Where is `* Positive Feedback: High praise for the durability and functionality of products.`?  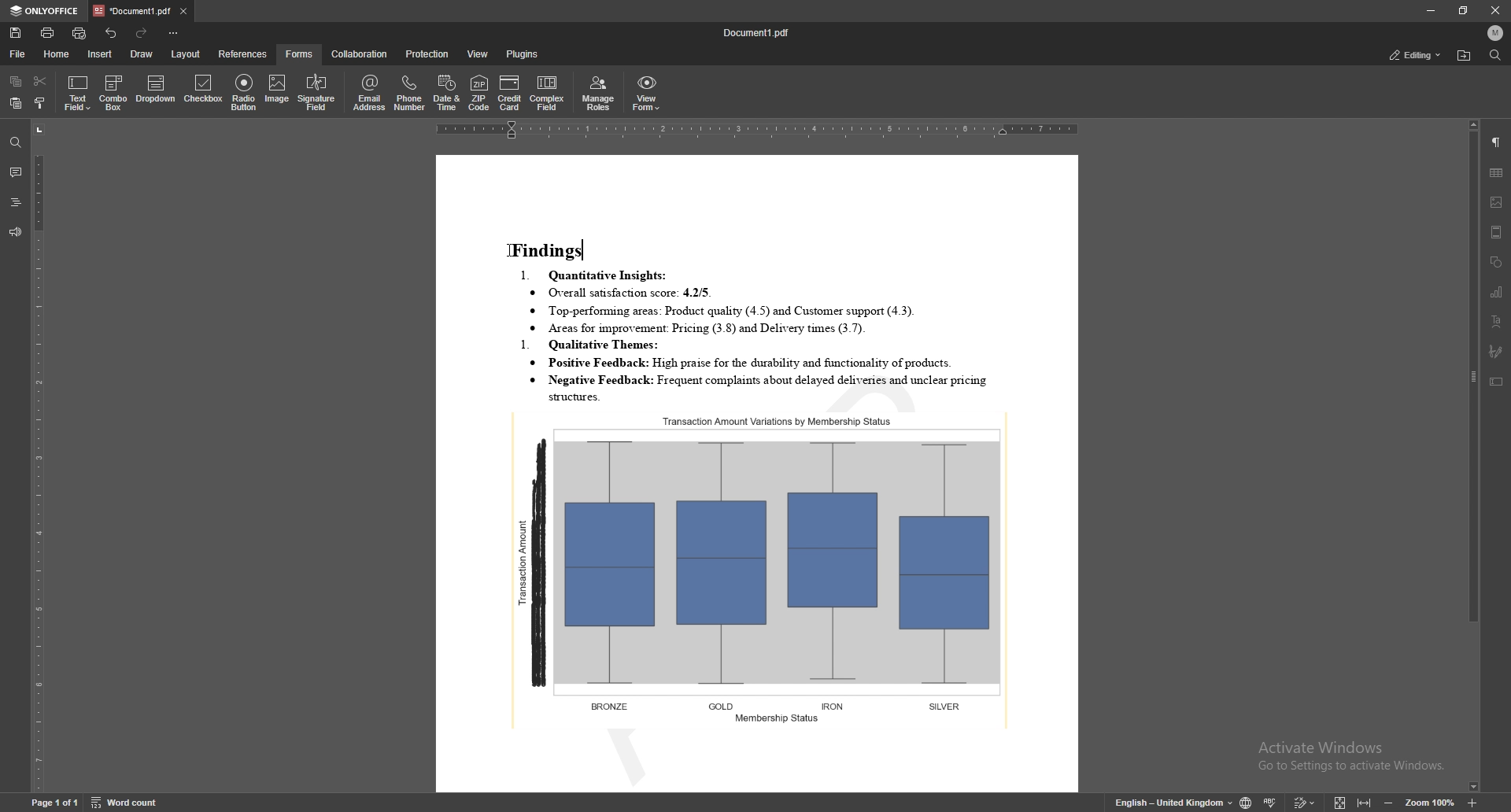 * Positive Feedback: High praise for the durability and functionality of products. is located at coordinates (768, 363).